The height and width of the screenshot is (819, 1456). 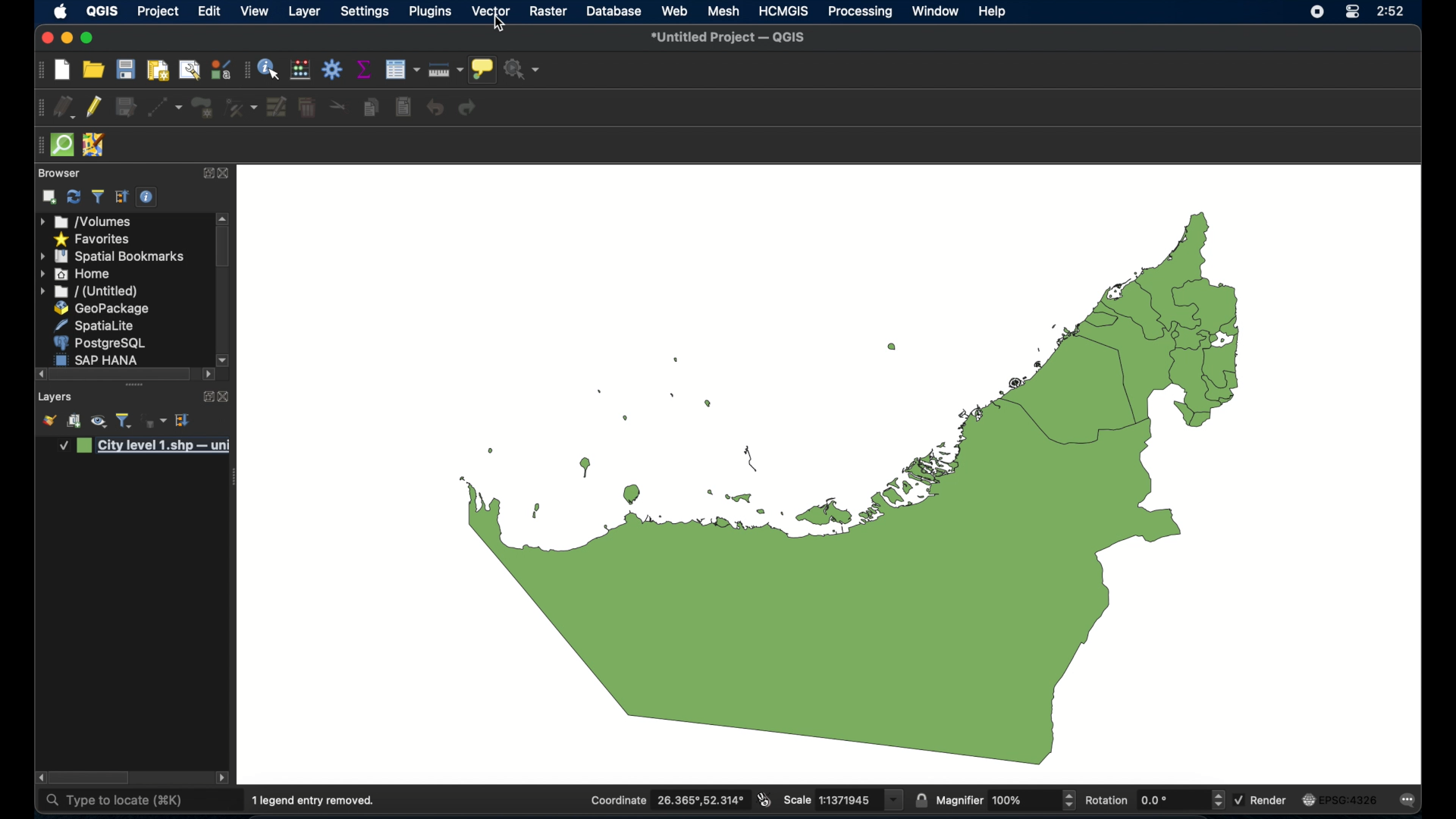 What do you see at coordinates (74, 422) in the screenshot?
I see `add group` at bounding box center [74, 422].